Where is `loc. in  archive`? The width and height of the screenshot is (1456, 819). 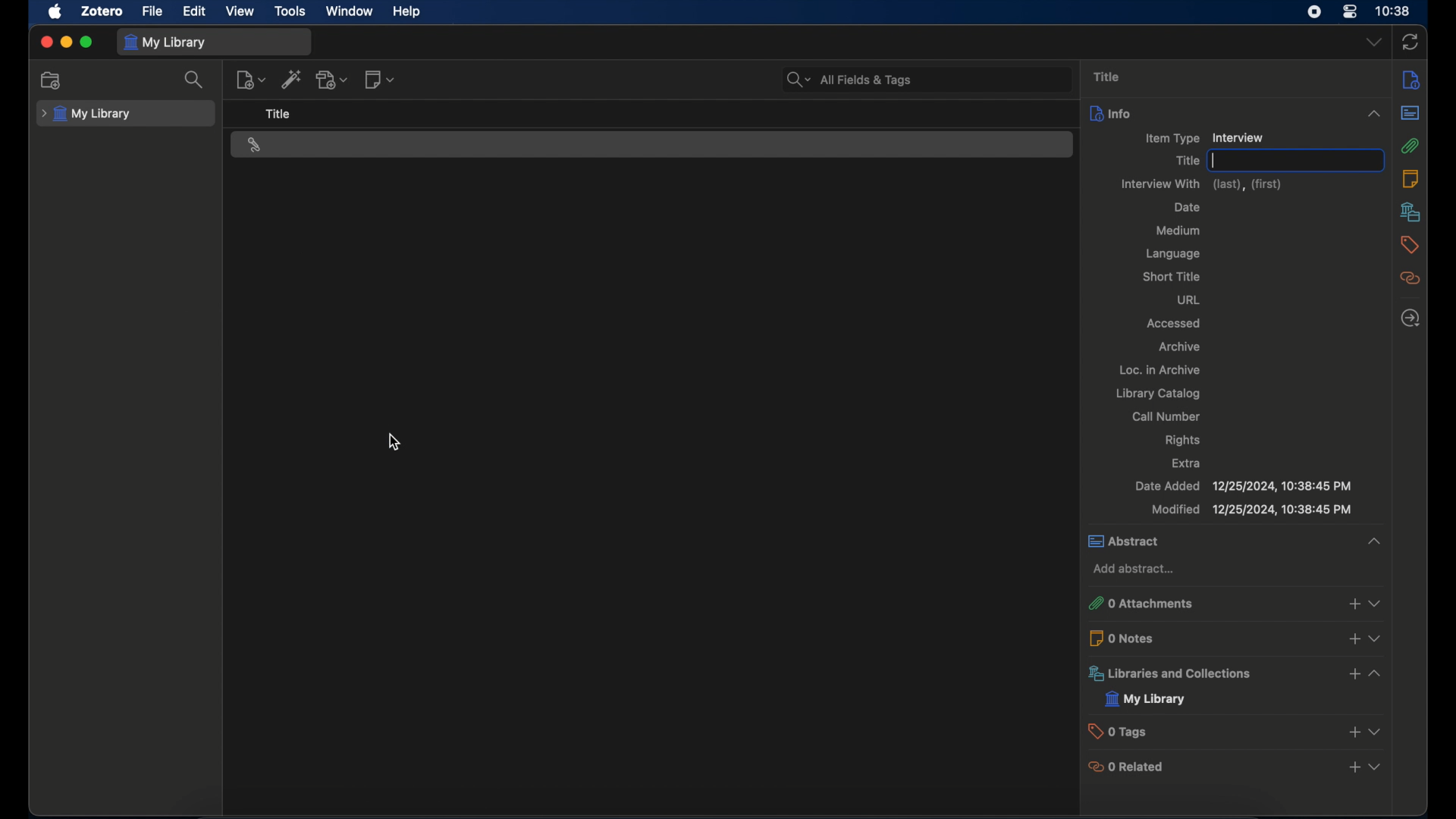
loc. in  archive is located at coordinates (1160, 369).